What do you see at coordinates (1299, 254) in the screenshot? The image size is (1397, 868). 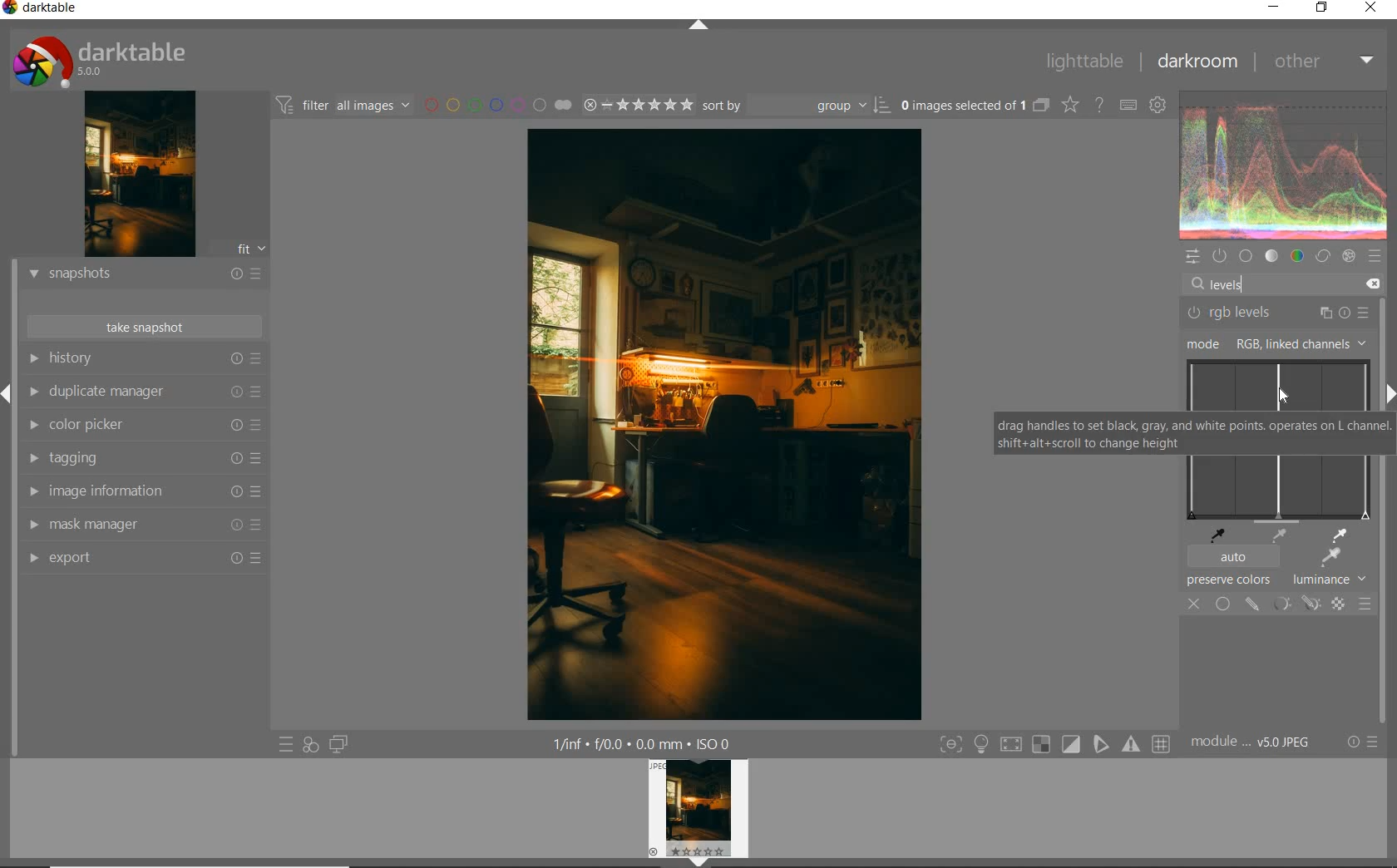 I see `color` at bounding box center [1299, 254].